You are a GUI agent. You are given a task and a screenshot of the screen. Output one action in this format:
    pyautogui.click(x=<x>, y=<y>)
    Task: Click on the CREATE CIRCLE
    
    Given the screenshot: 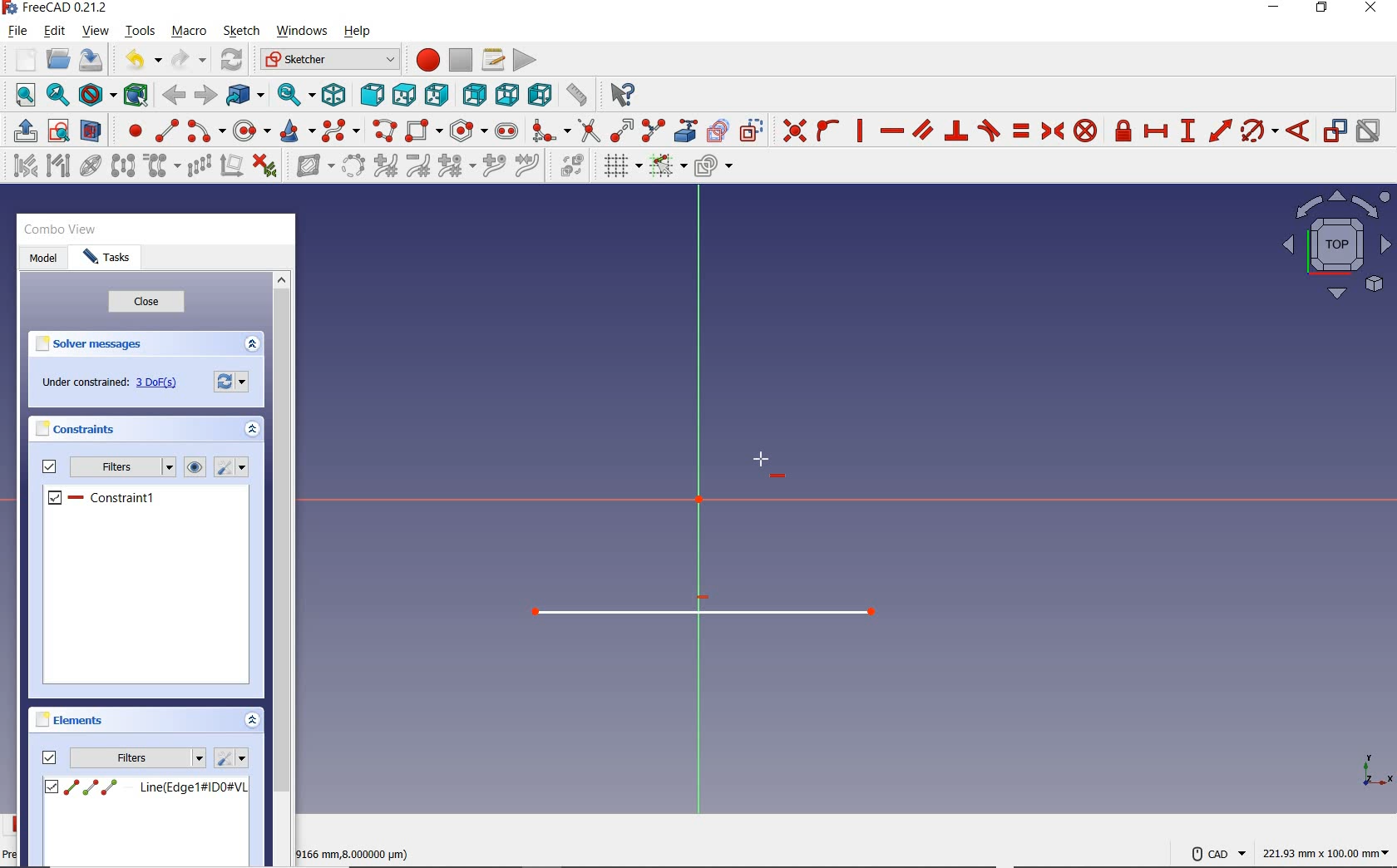 What is the action you would take?
    pyautogui.click(x=251, y=131)
    